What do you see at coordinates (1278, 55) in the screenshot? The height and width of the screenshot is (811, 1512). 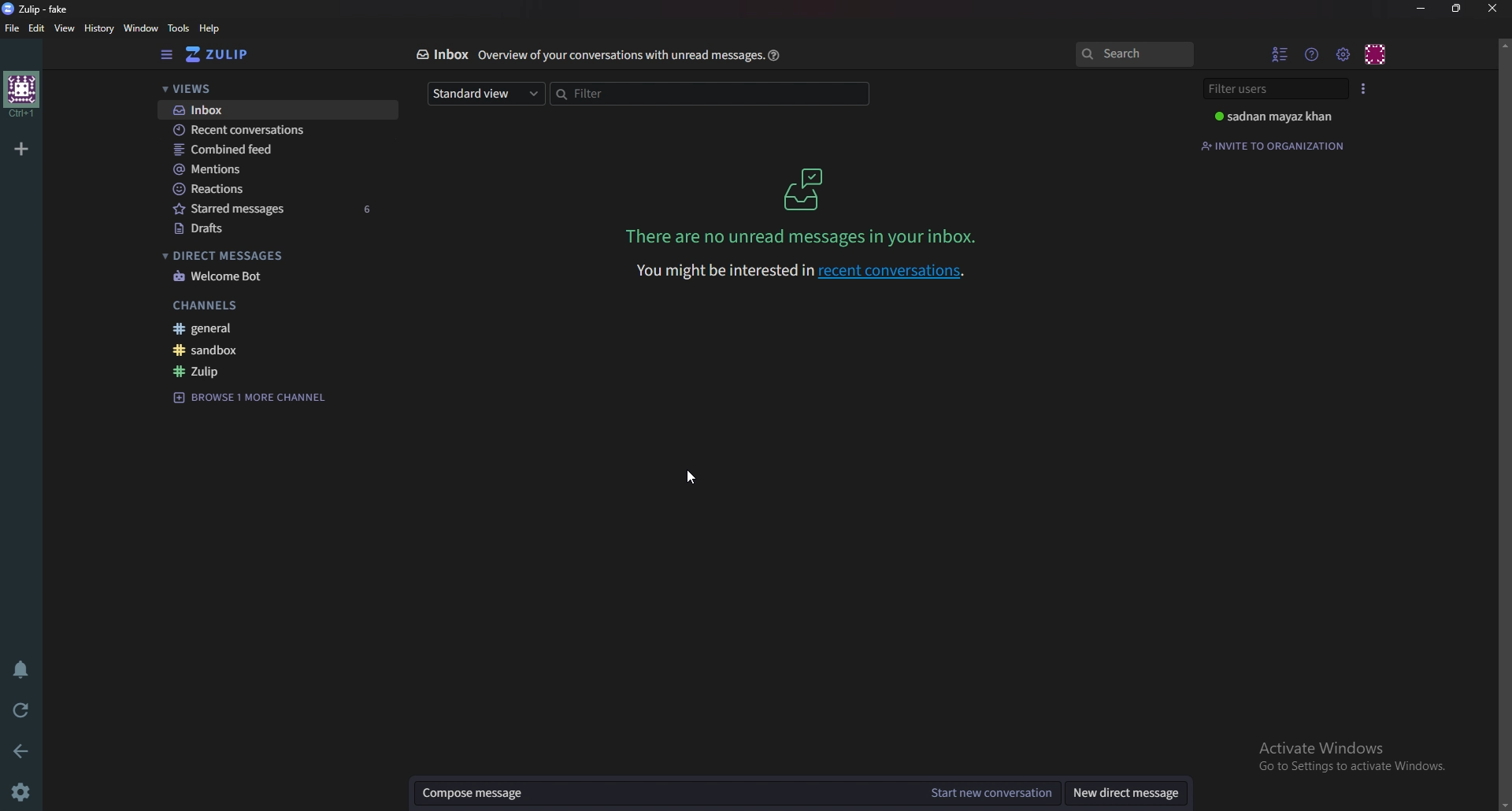 I see `Hide user list` at bounding box center [1278, 55].